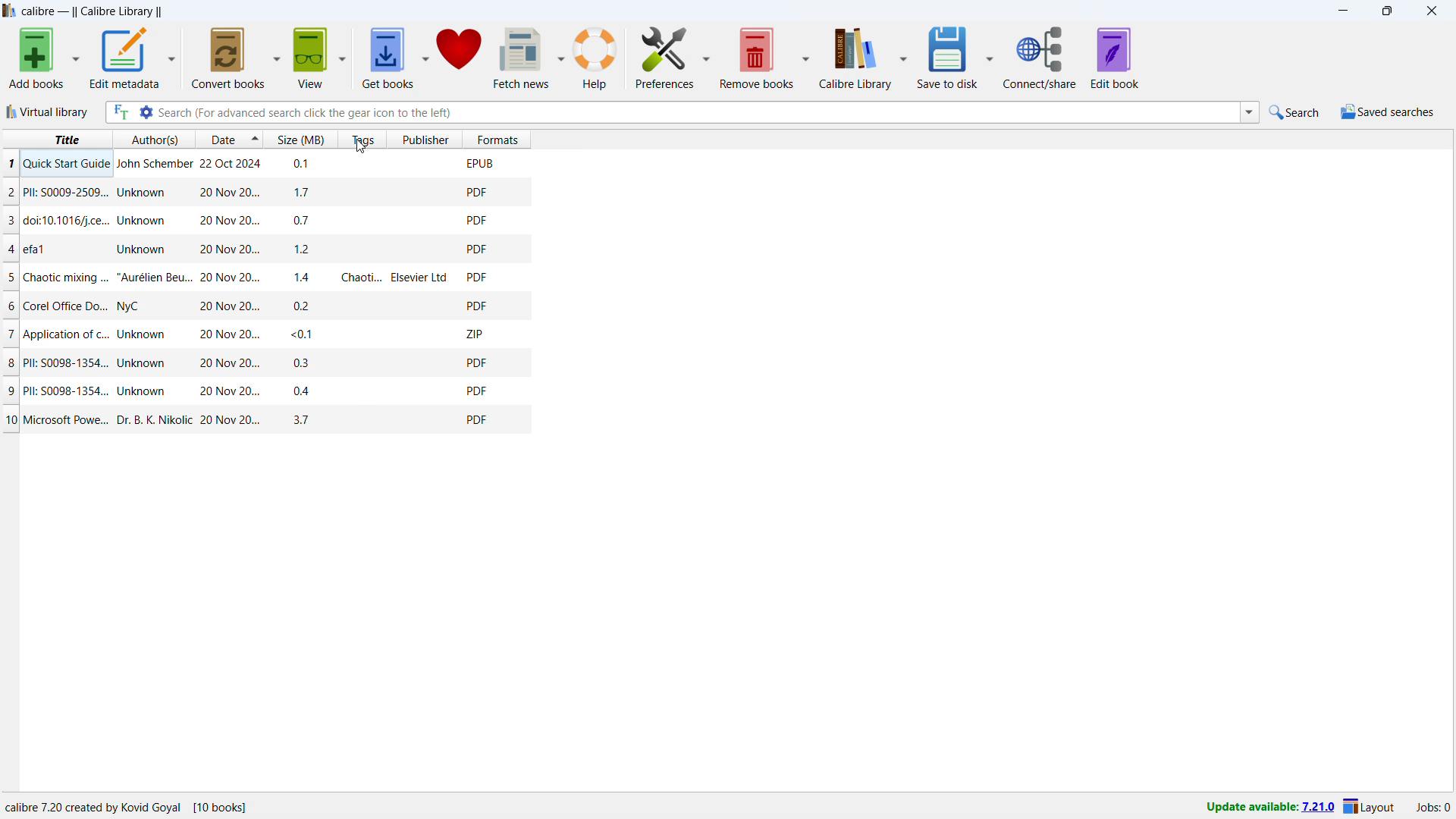 This screenshot has height=819, width=1456. Describe the element at coordinates (521, 58) in the screenshot. I see `` at that location.